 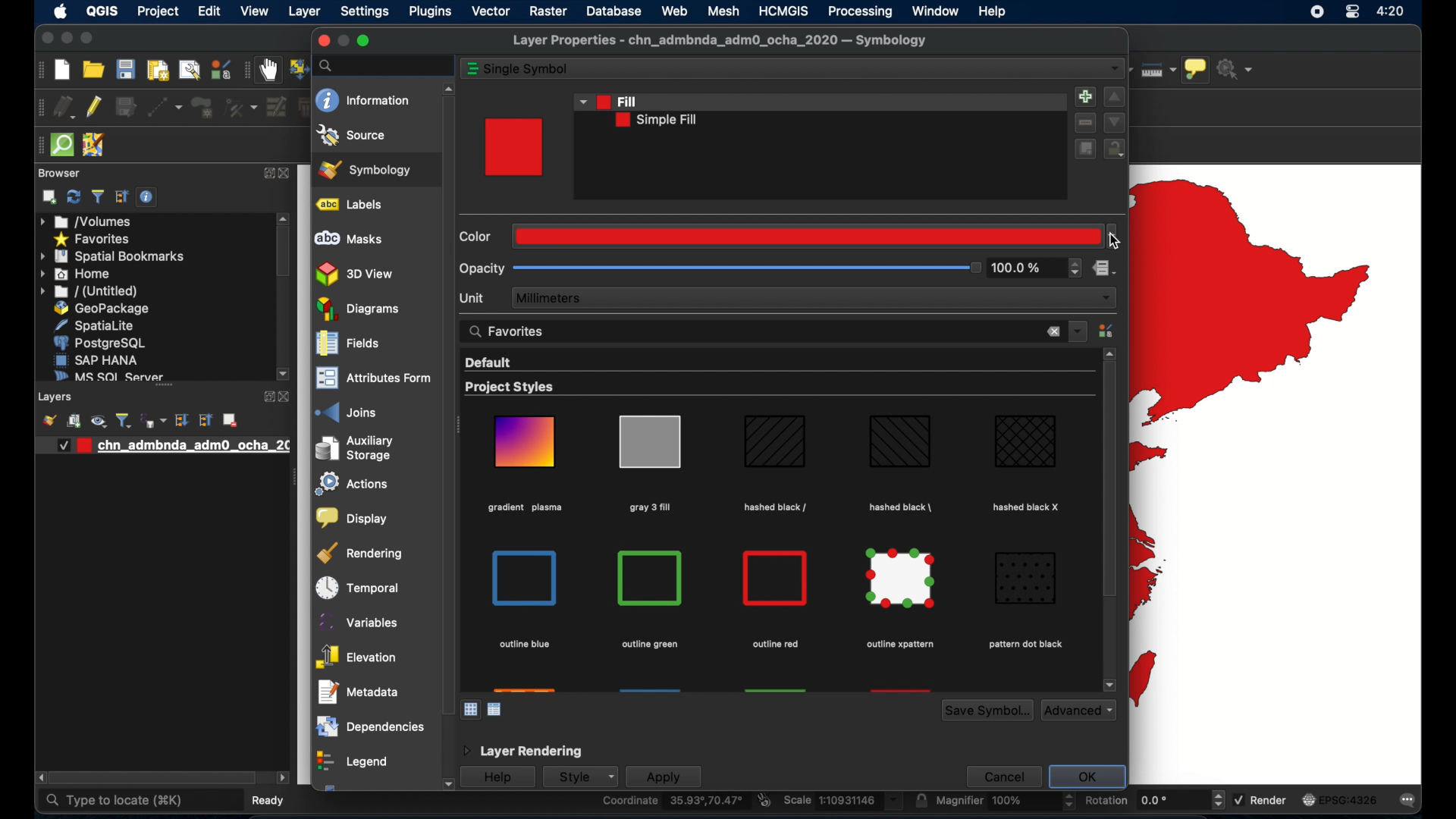 What do you see at coordinates (99, 325) in the screenshot?
I see `spatiallite` at bounding box center [99, 325].